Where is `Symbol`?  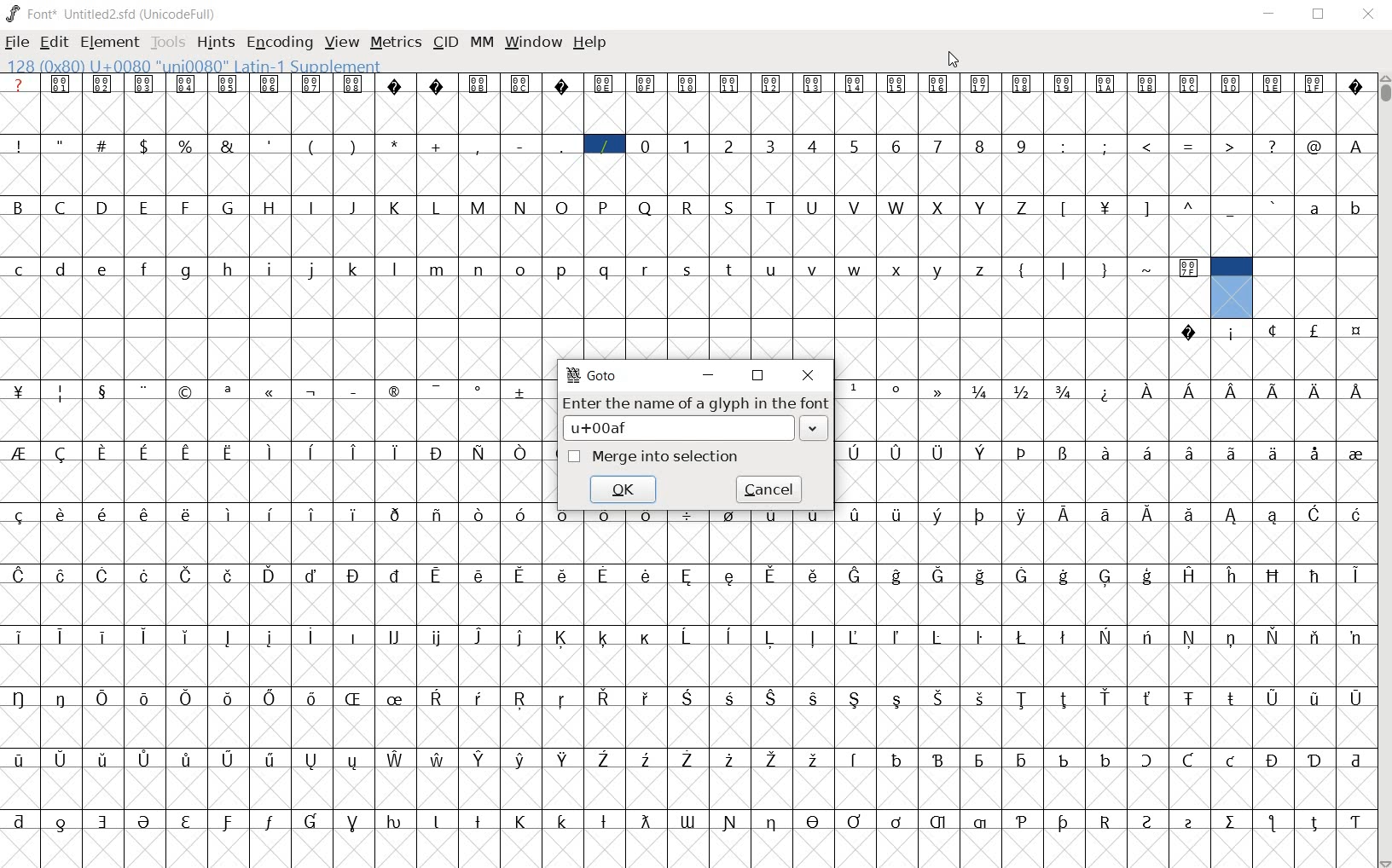 Symbol is located at coordinates (148, 575).